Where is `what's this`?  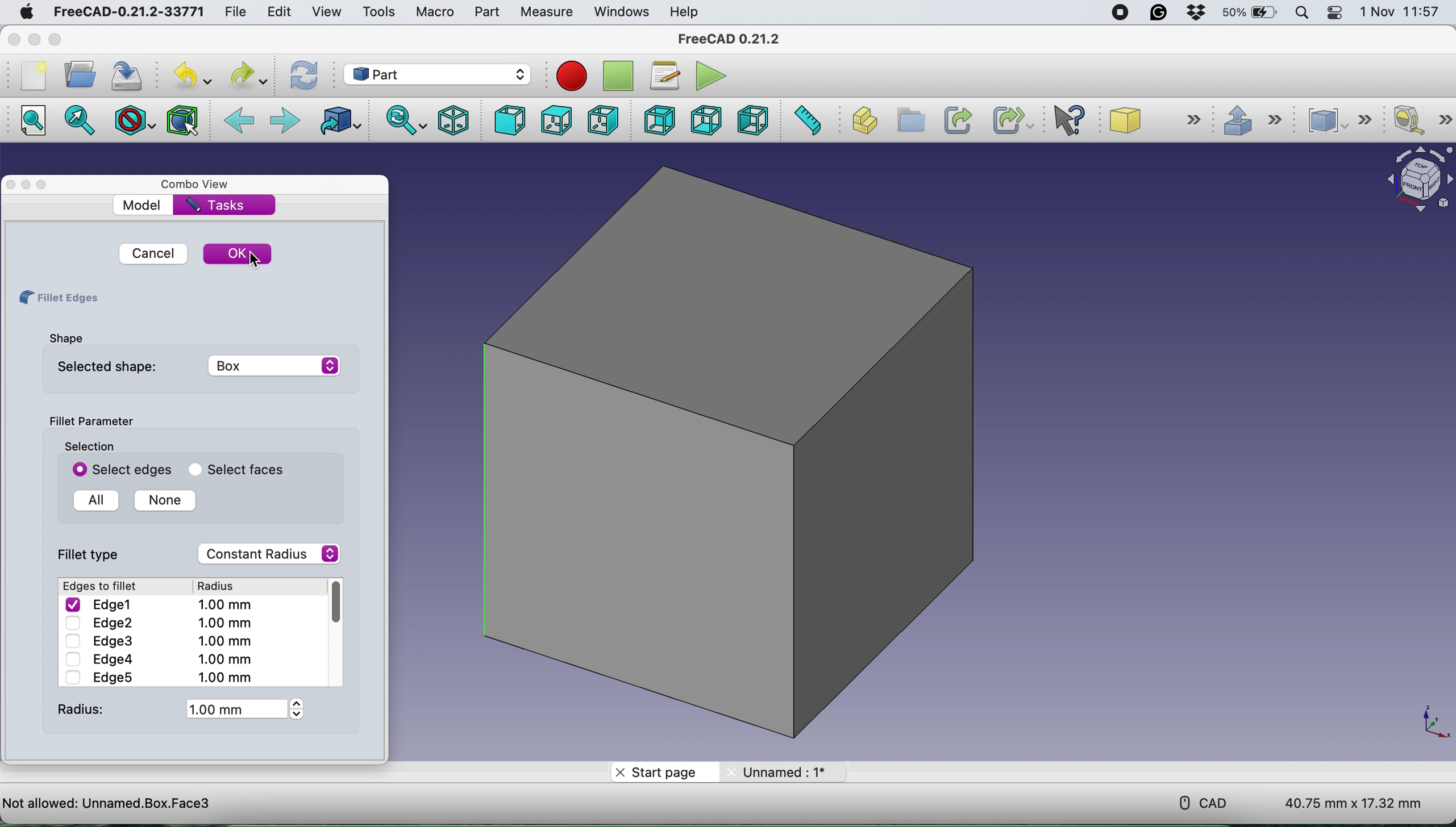
what's this is located at coordinates (1070, 118).